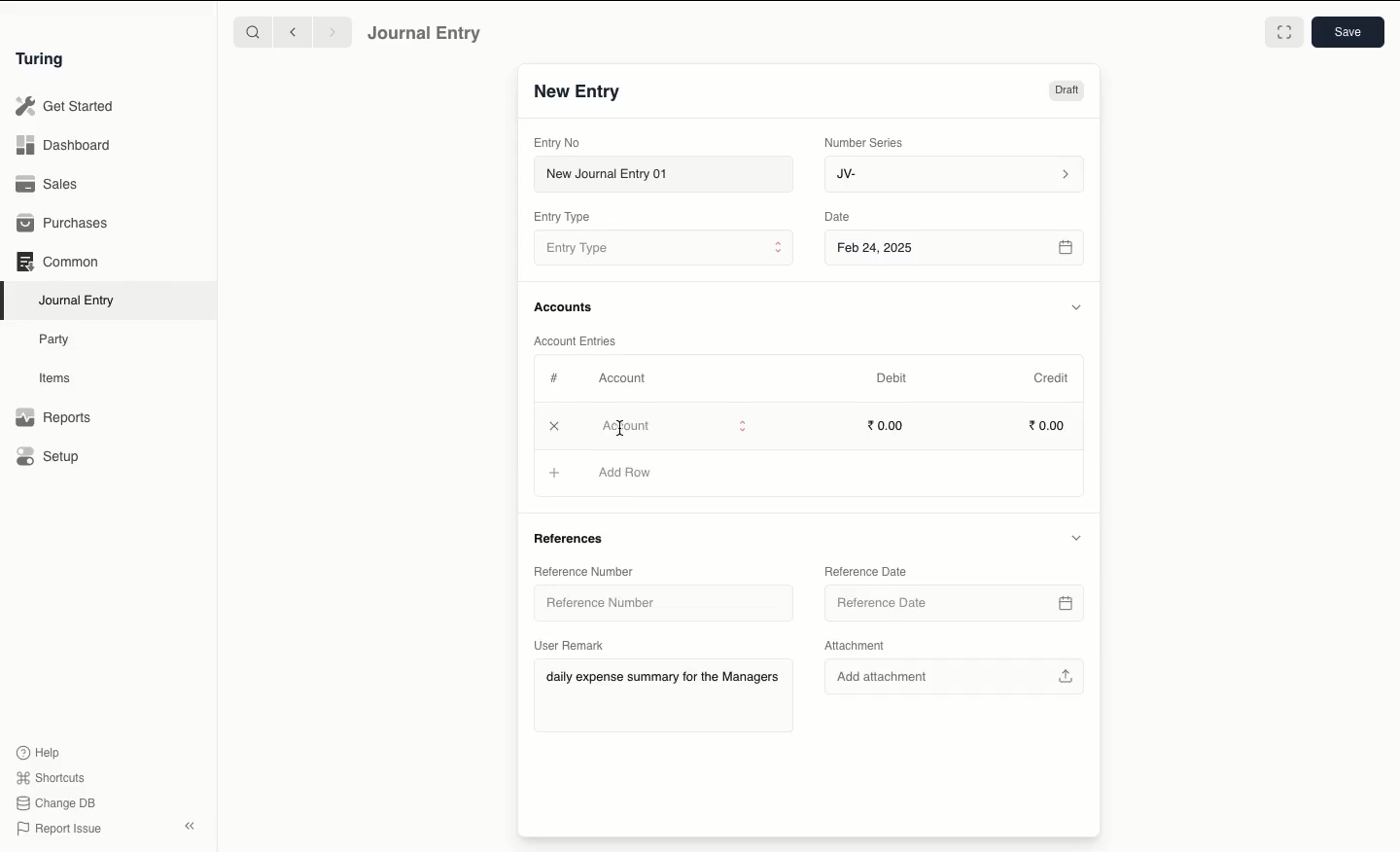 The image size is (1400, 852). What do you see at coordinates (892, 378) in the screenshot?
I see `Debit` at bounding box center [892, 378].